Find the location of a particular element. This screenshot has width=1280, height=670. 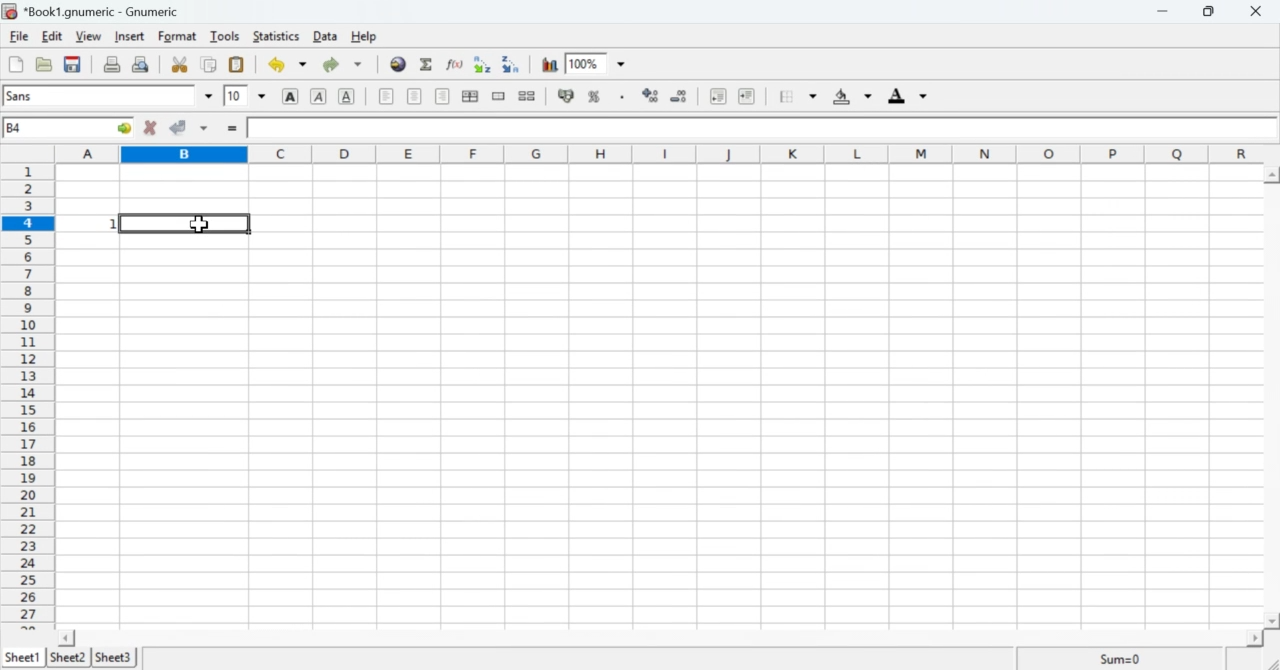

Minimize/Maximize is located at coordinates (1210, 12).